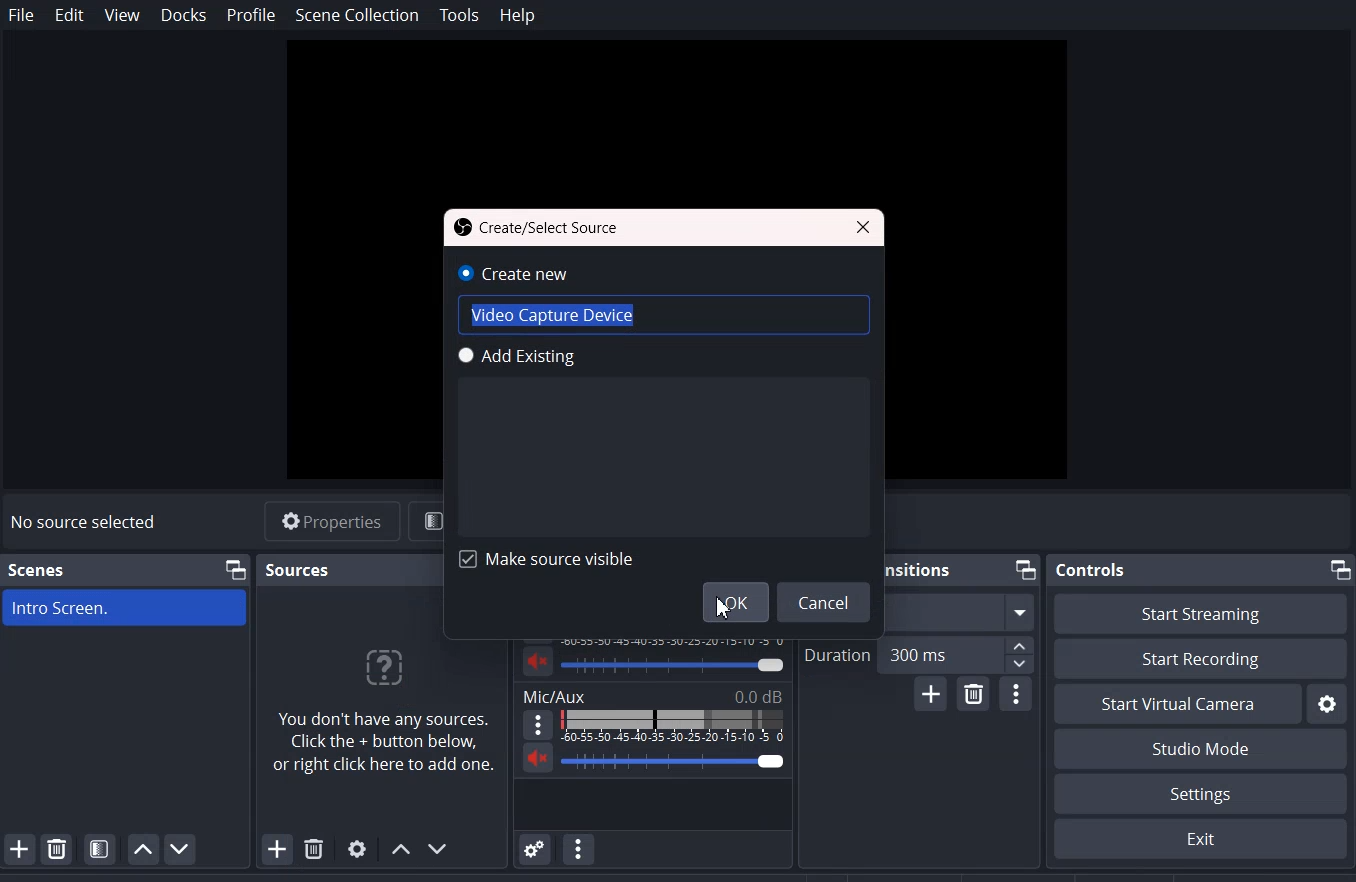 This screenshot has width=1356, height=882. What do you see at coordinates (1177, 704) in the screenshot?
I see `Start Virtual camera` at bounding box center [1177, 704].